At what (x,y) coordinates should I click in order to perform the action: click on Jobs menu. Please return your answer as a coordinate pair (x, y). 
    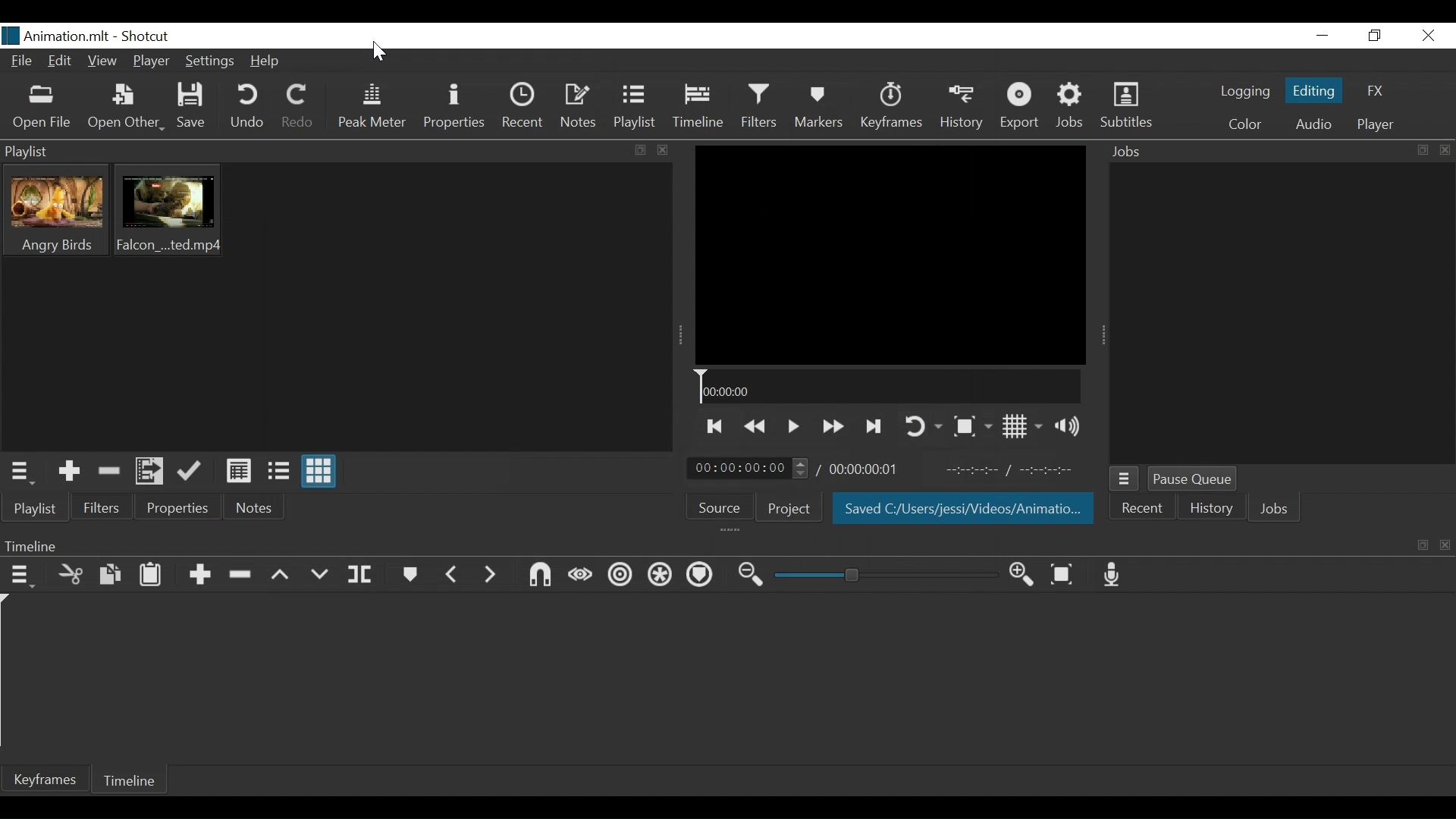
    Looking at the image, I should click on (1125, 479).